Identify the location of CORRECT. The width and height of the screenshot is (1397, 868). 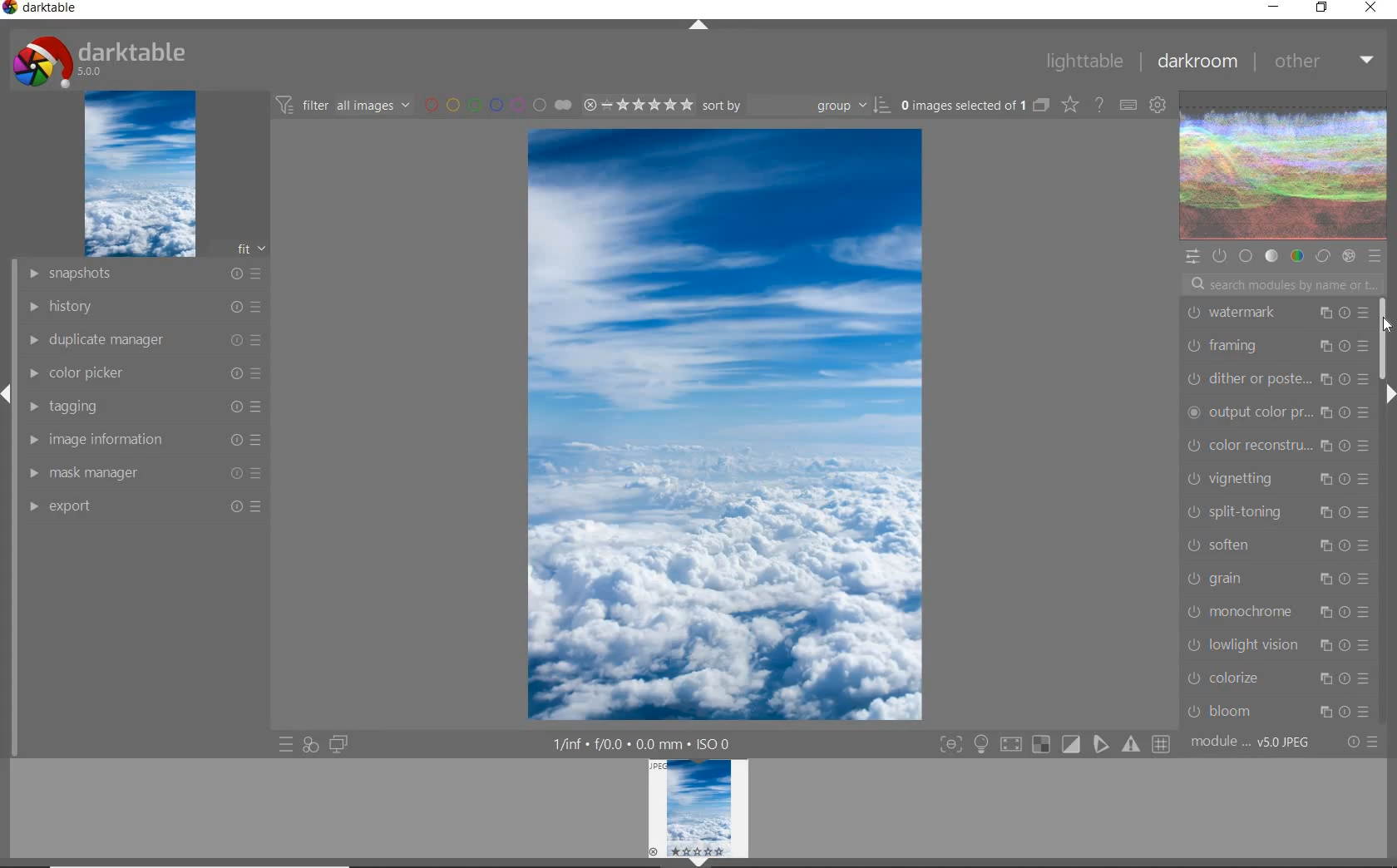
(1322, 255).